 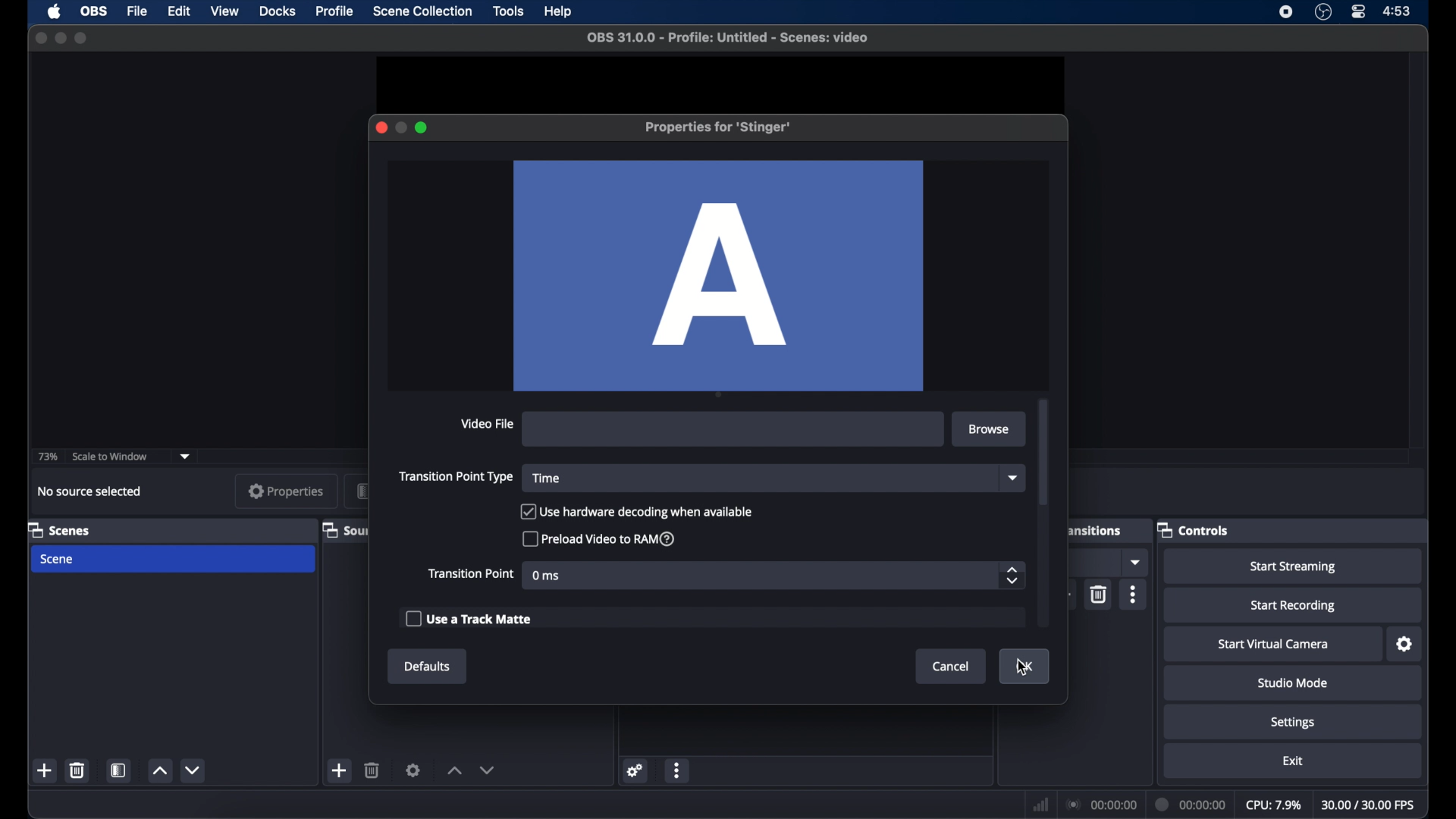 What do you see at coordinates (95, 11) in the screenshot?
I see `obs` at bounding box center [95, 11].